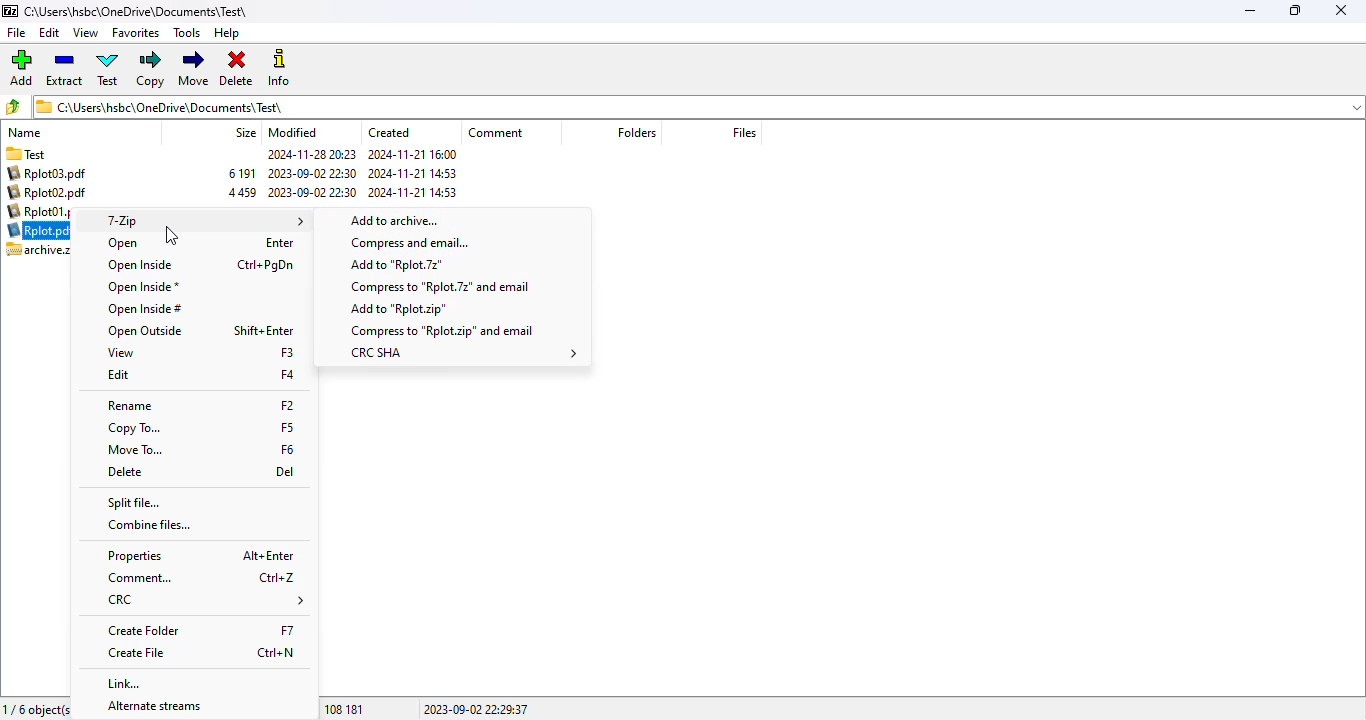 The width and height of the screenshot is (1366, 720). I want to click on create file, so click(136, 653).